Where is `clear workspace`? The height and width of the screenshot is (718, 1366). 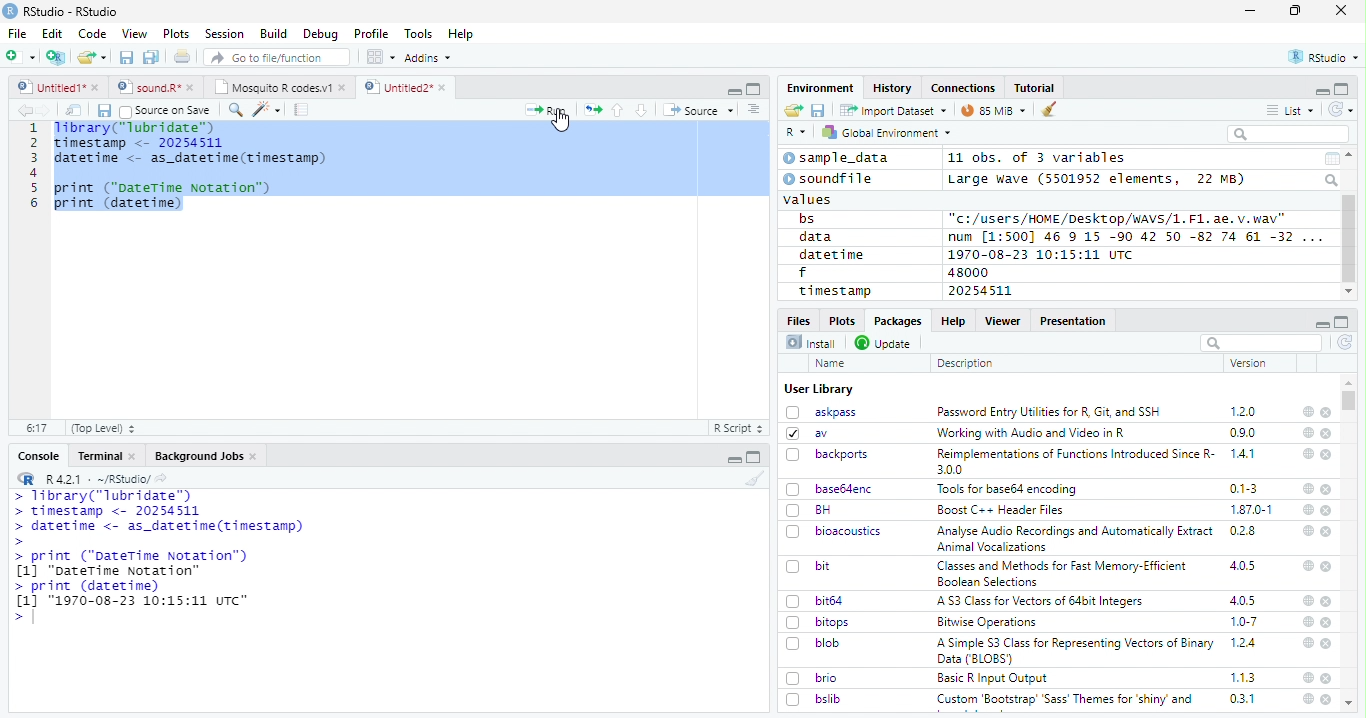
clear workspace is located at coordinates (1050, 110).